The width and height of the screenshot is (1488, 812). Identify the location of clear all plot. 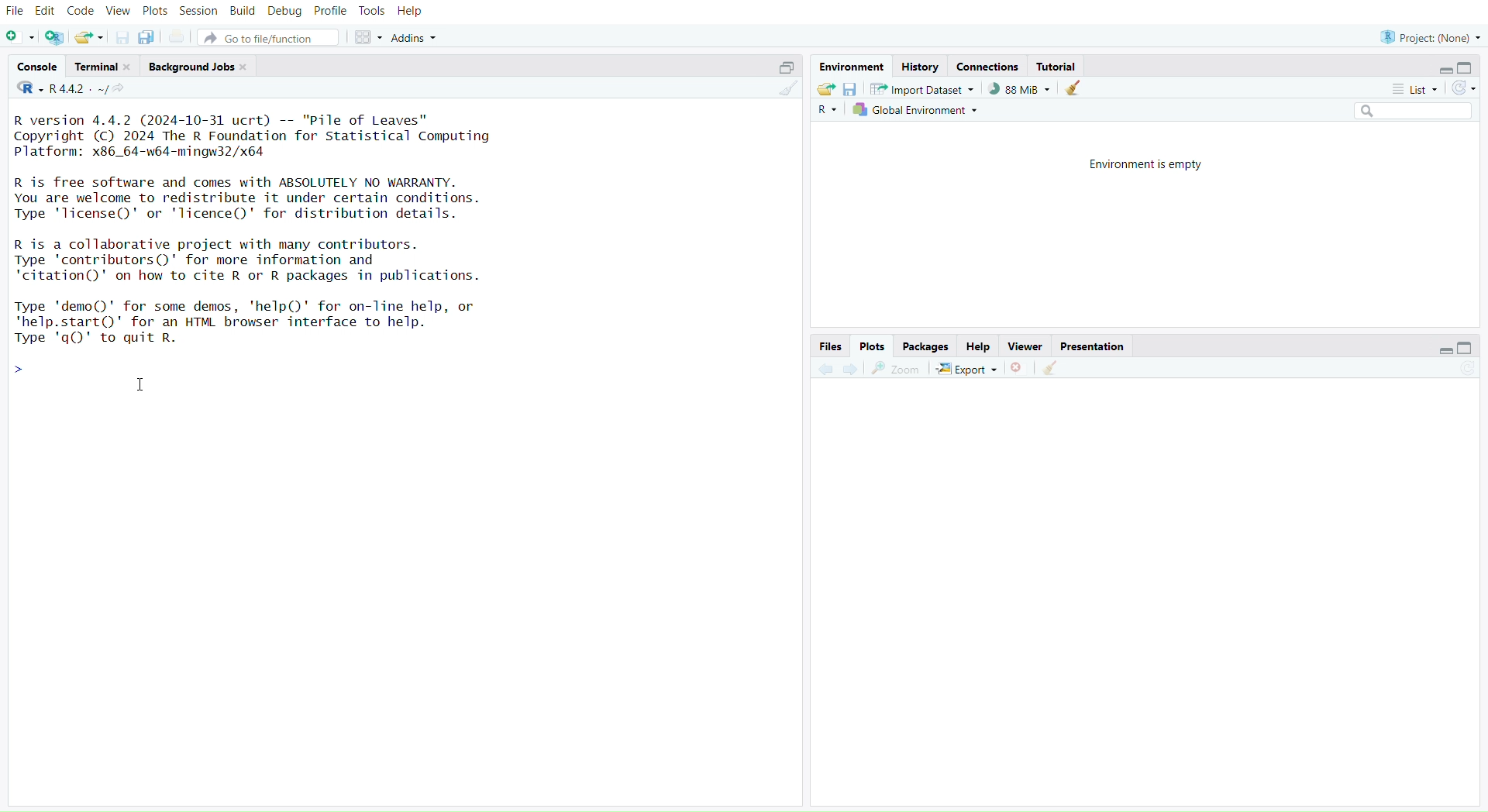
(1052, 368).